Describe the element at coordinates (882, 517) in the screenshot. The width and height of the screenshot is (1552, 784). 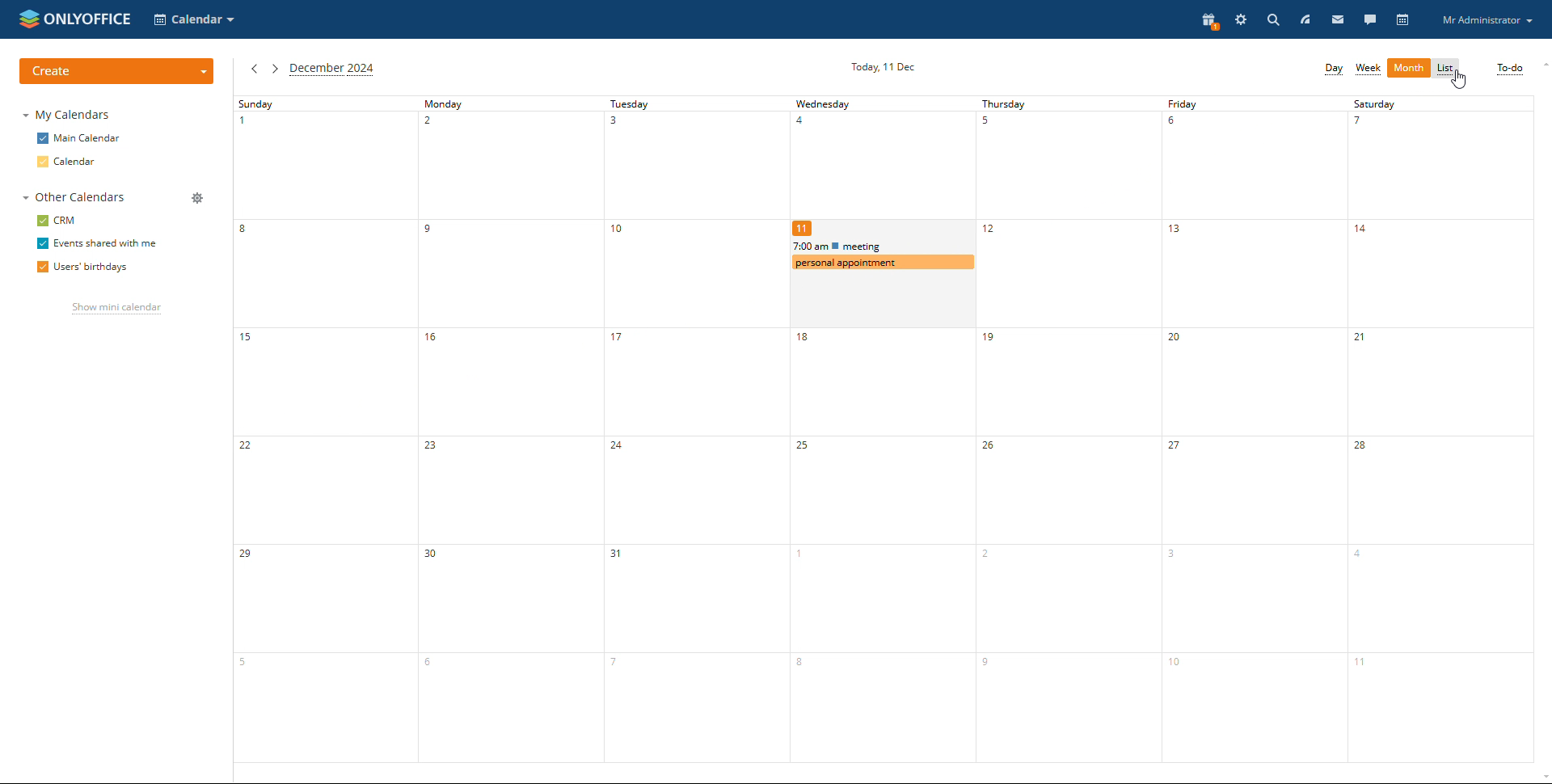
I see `calender` at that location.